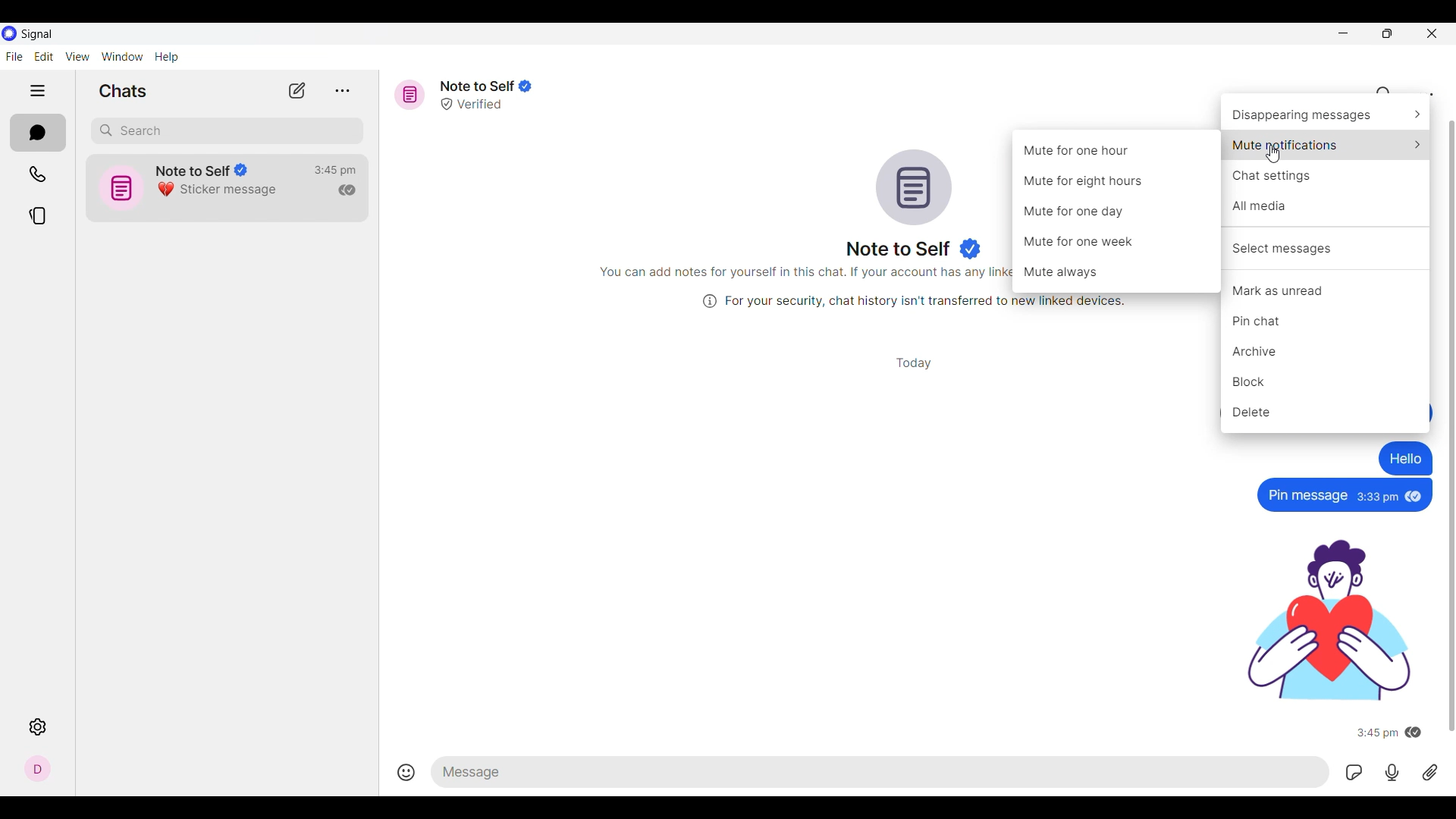 The width and height of the screenshot is (1456, 819). I want to click on Section title, so click(123, 90).